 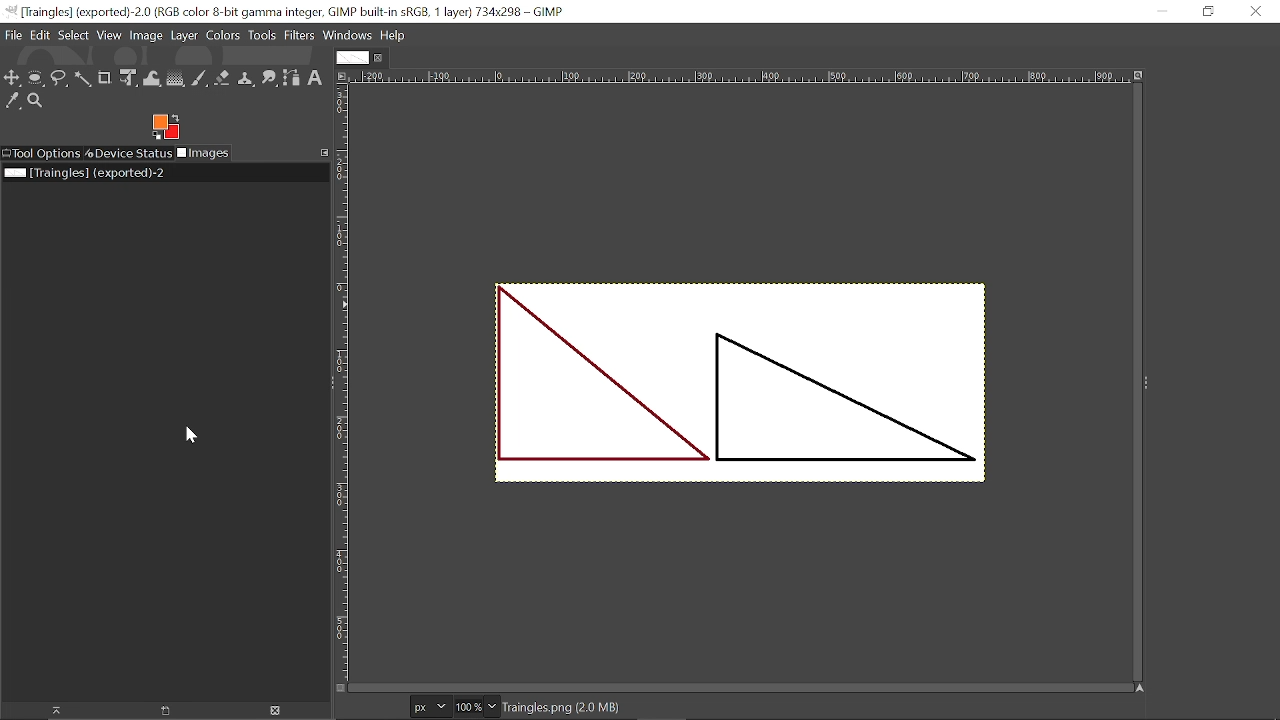 What do you see at coordinates (738, 77) in the screenshot?
I see `Horizontal marking` at bounding box center [738, 77].